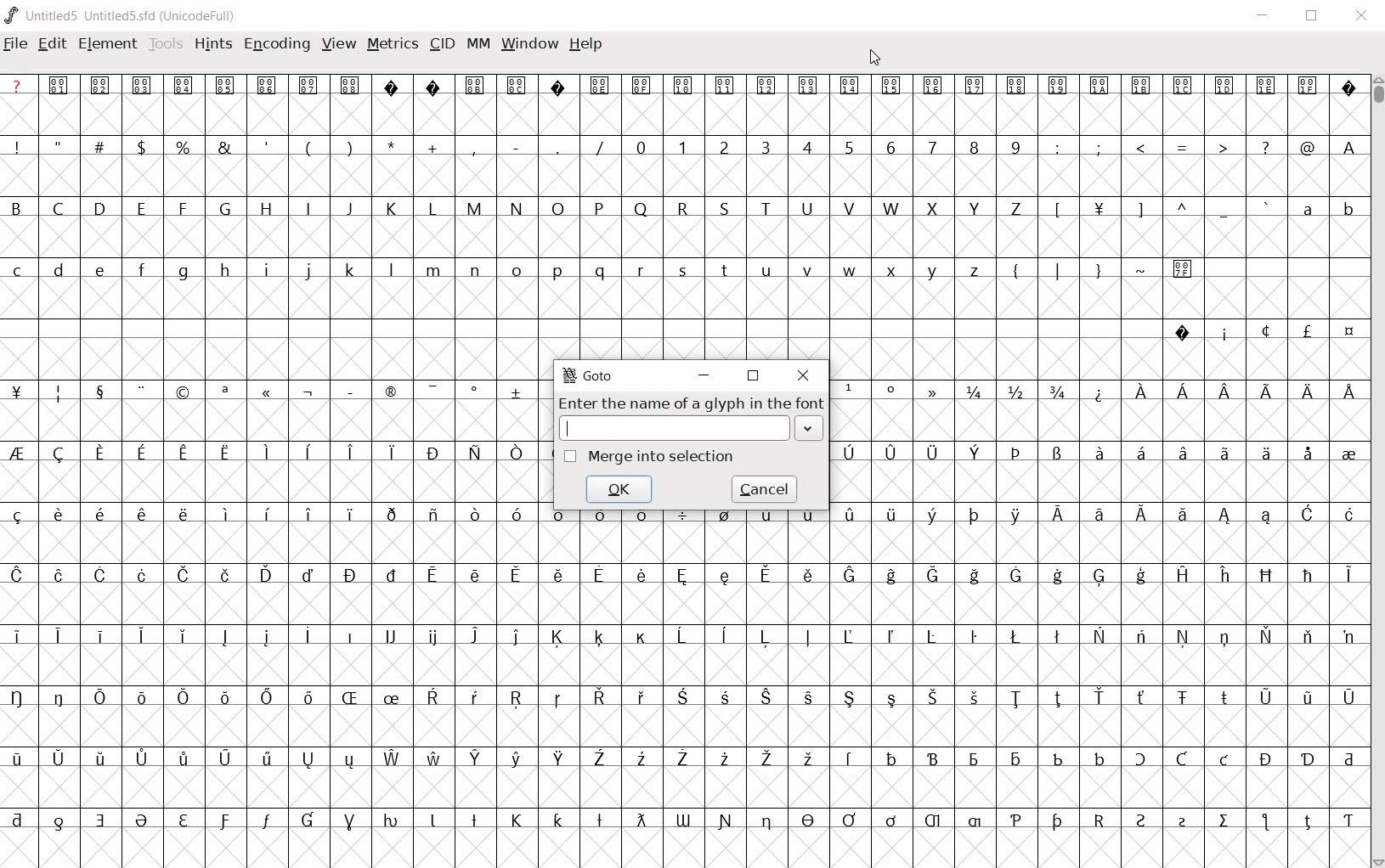 This screenshot has height=868, width=1385. What do you see at coordinates (267, 696) in the screenshot?
I see `Symbol` at bounding box center [267, 696].